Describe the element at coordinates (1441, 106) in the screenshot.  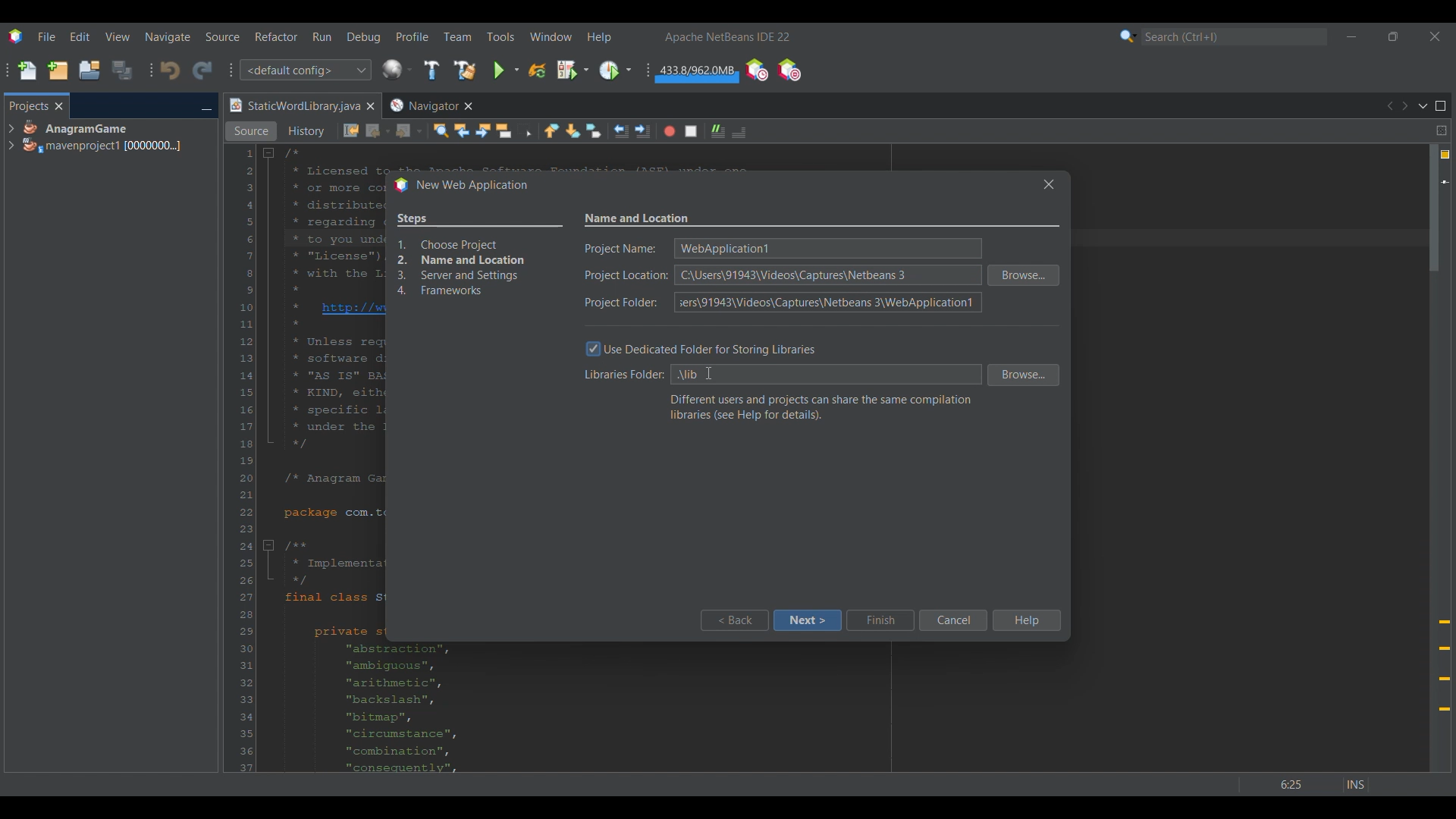
I see `Maximize window` at that location.